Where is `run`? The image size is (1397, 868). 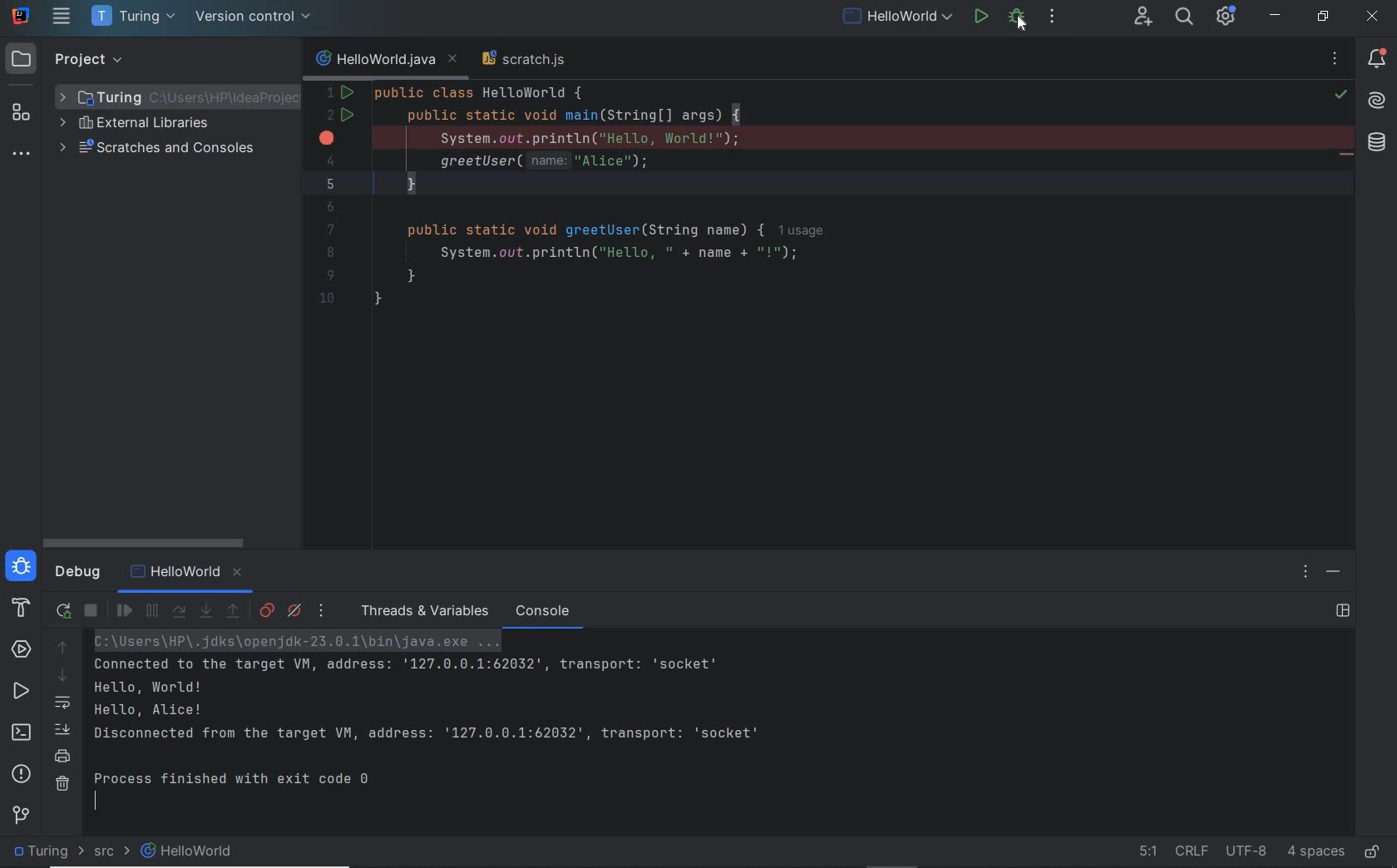 run is located at coordinates (981, 17).